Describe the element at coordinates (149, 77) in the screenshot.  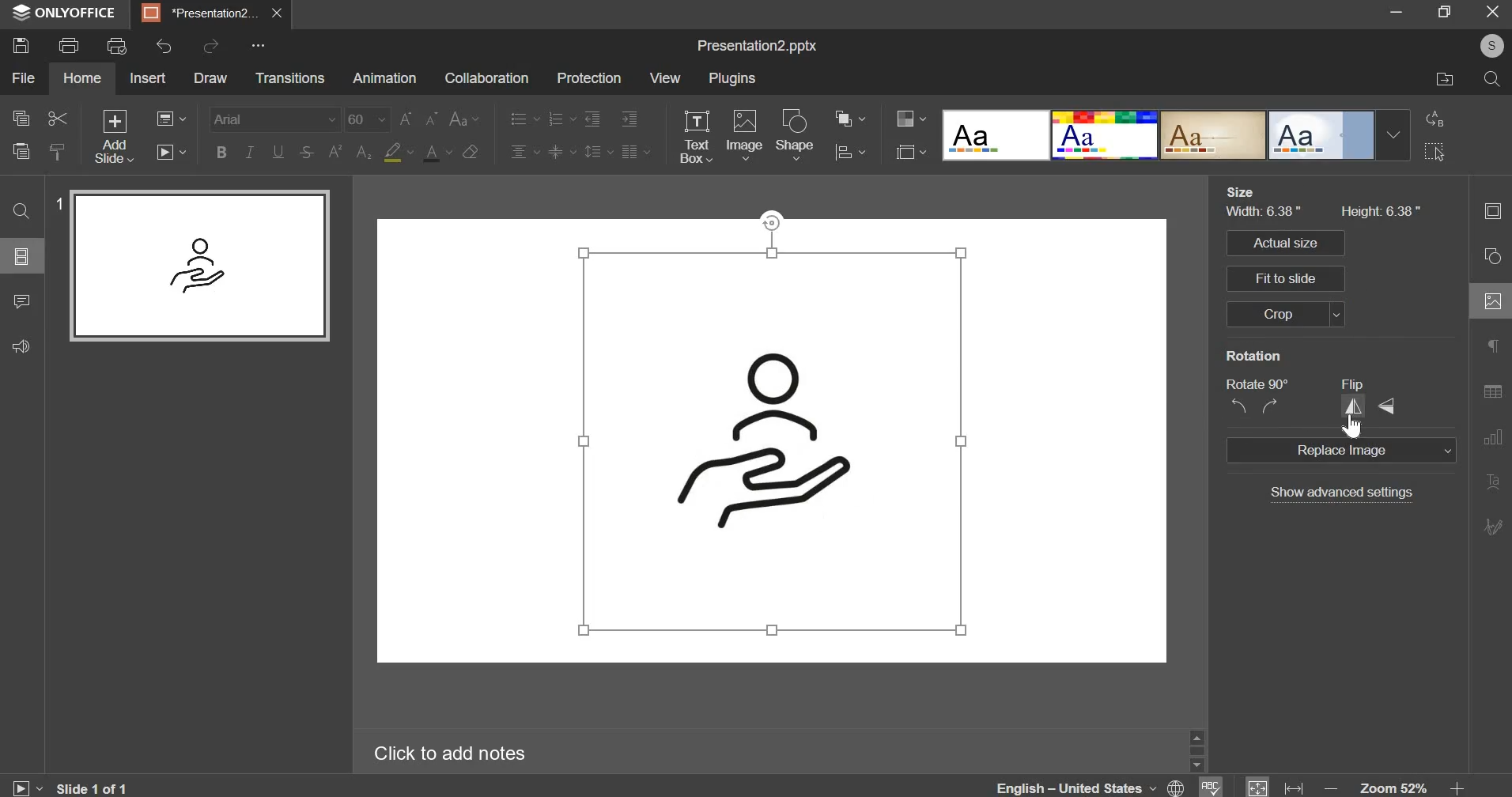
I see `insert` at that location.